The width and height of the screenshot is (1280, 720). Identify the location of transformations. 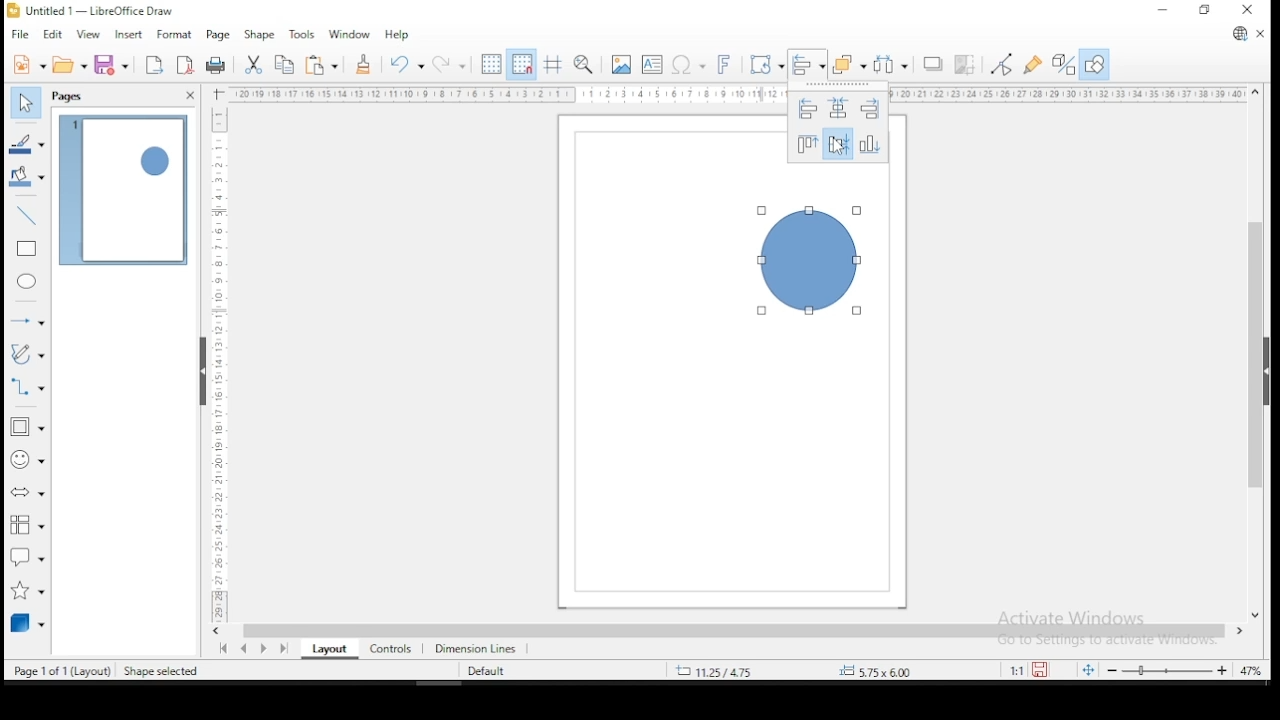
(764, 62).